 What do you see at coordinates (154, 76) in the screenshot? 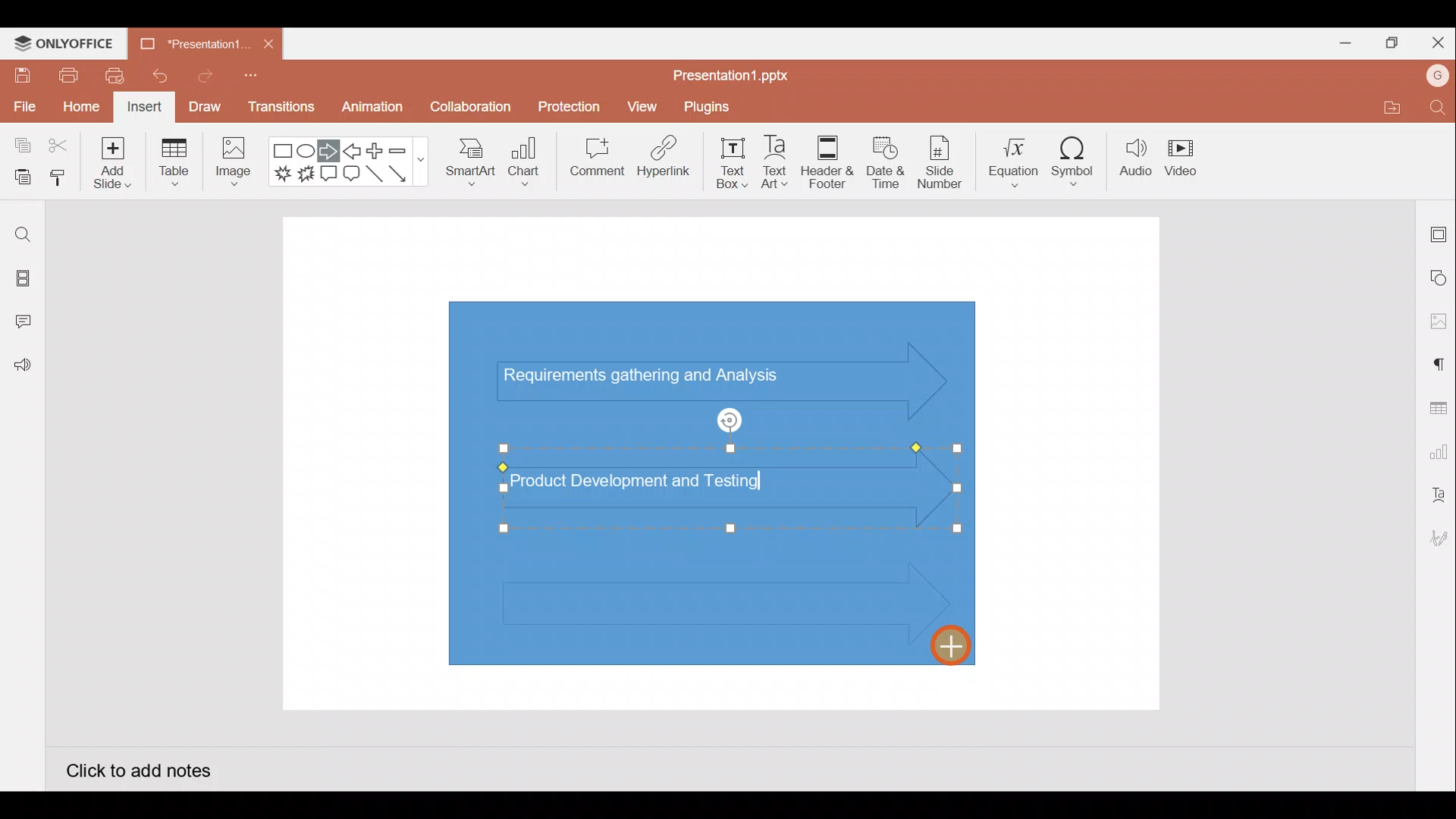
I see `Undo` at bounding box center [154, 76].